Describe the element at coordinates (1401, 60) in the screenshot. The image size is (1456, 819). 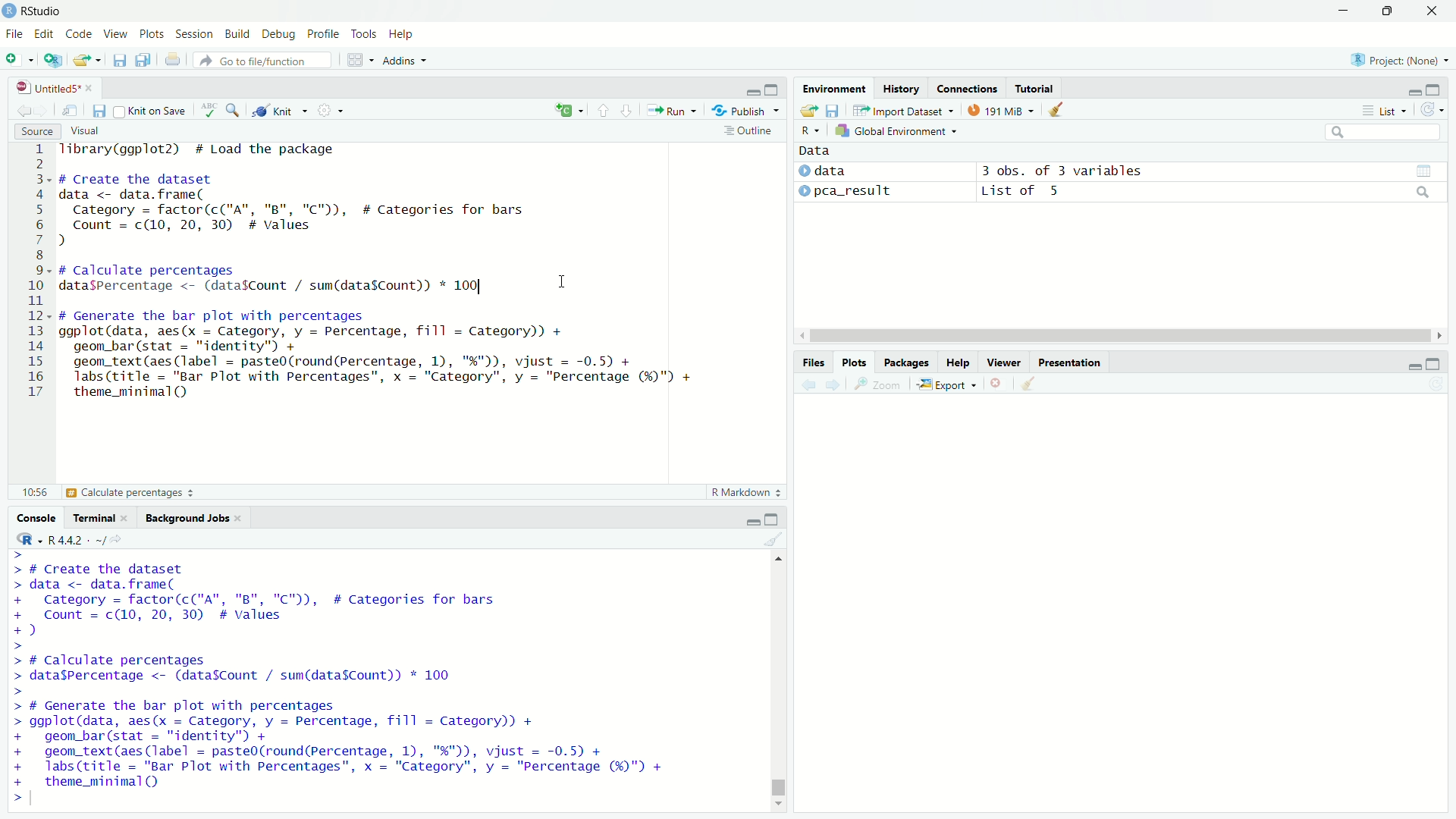
I see `selected project: None` at that location.